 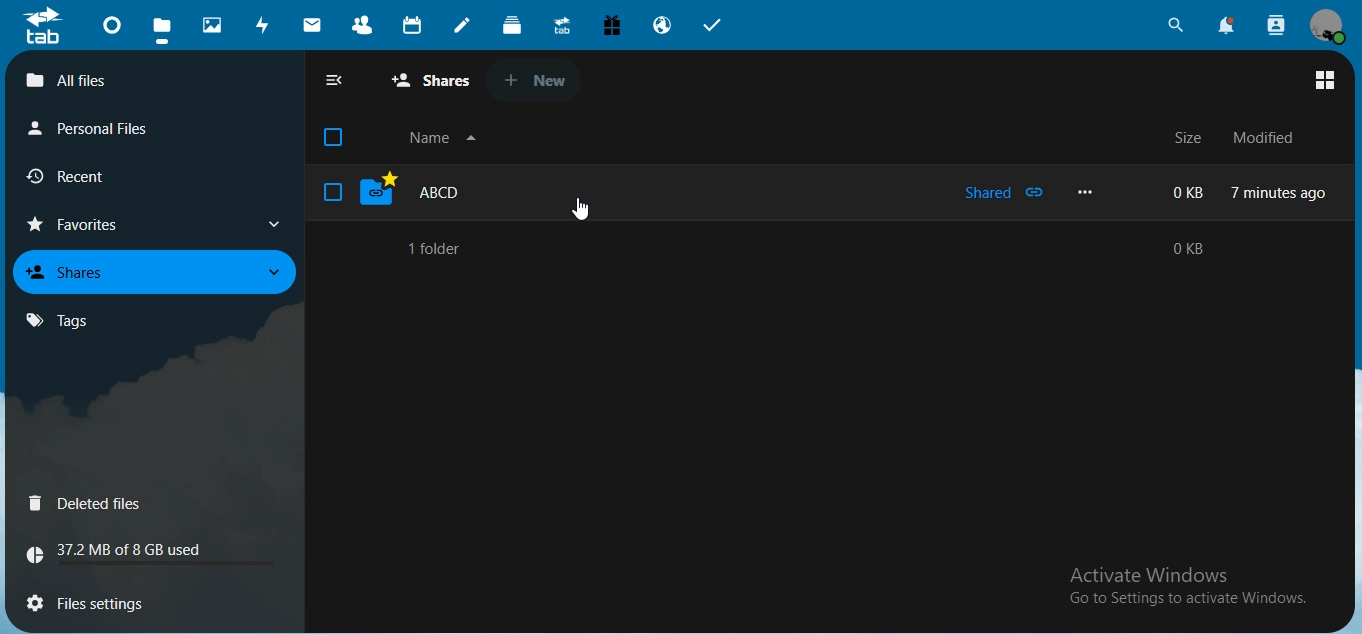 What do you see at coordinates (89, 504) in the screenshot?
I see `deleted files` at bounding box center [89, 504].